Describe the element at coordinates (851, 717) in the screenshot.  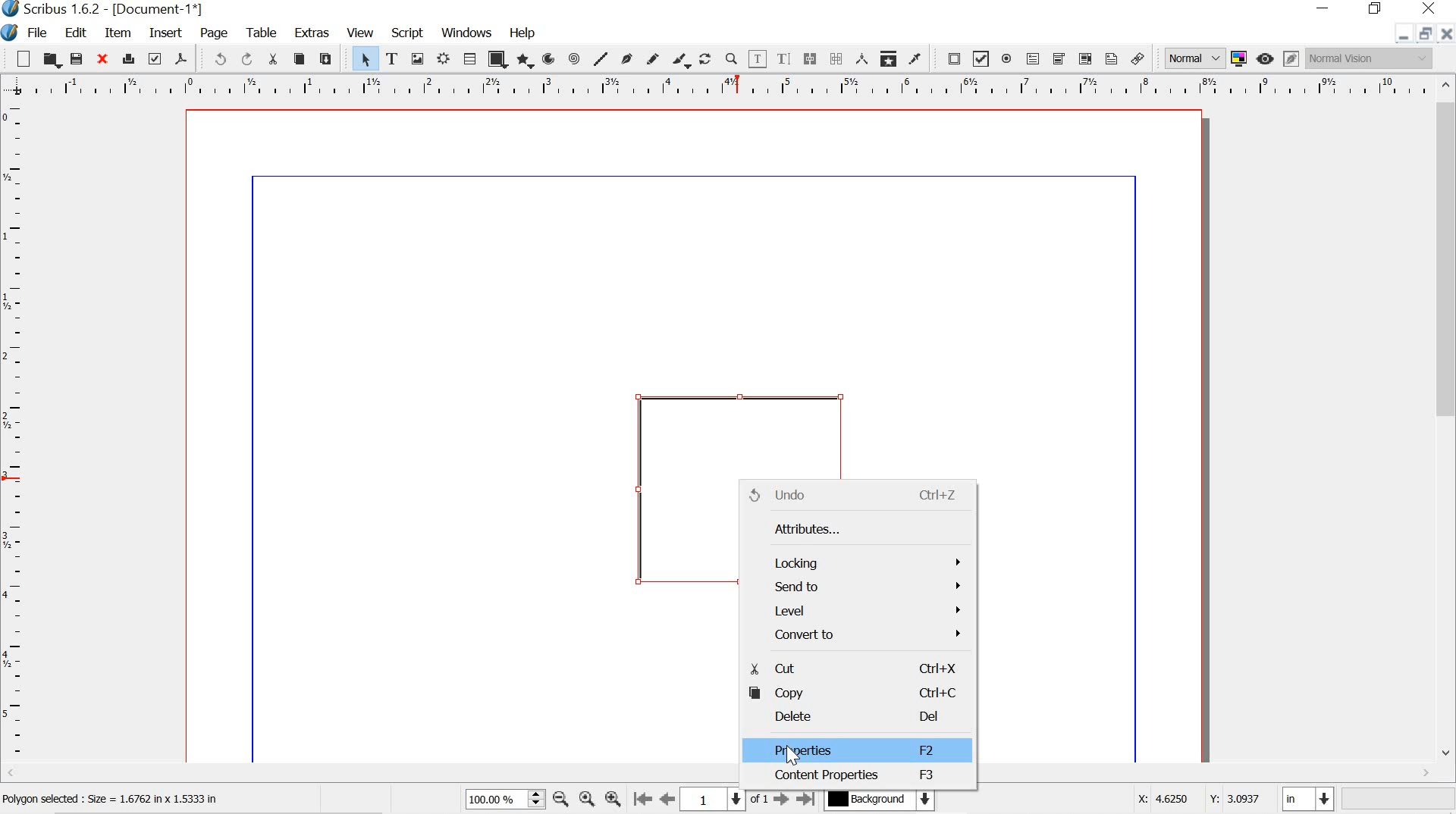
I see `delete` at that location.